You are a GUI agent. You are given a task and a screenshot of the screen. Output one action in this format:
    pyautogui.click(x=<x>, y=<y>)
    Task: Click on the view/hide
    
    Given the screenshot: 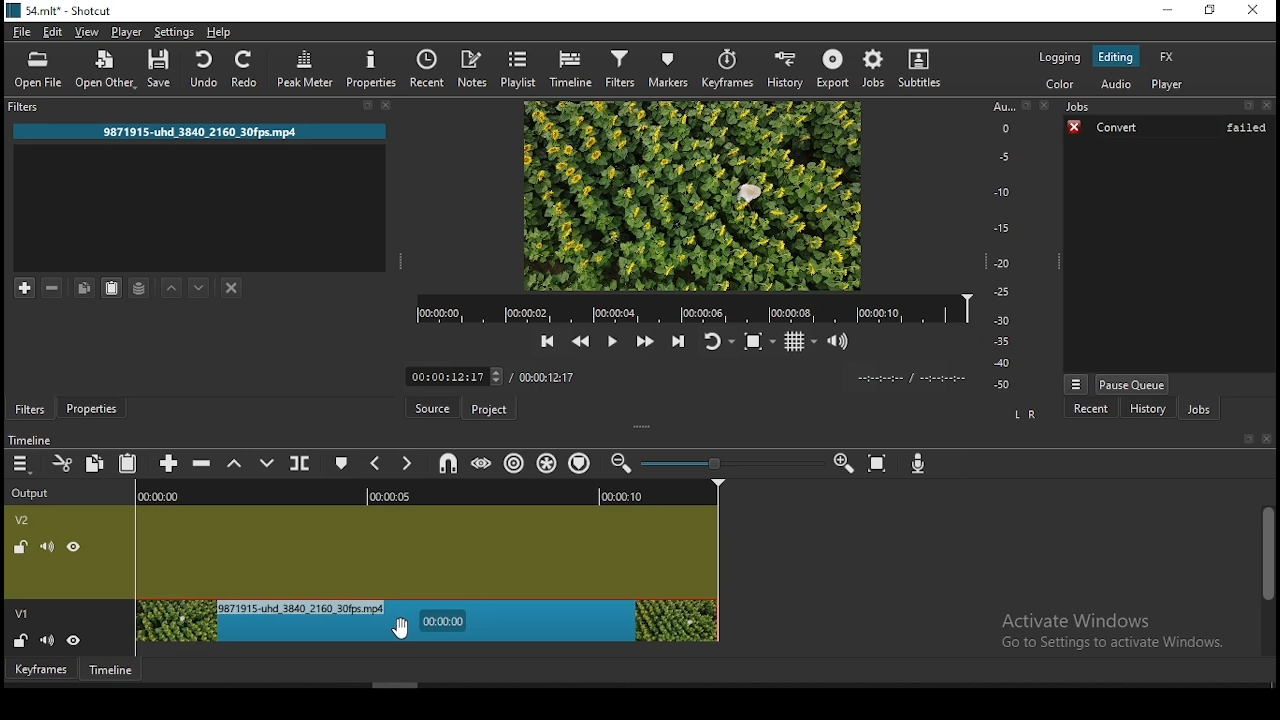 What is the action you would take?
    pyautogui.click(x=73, y=548)
    